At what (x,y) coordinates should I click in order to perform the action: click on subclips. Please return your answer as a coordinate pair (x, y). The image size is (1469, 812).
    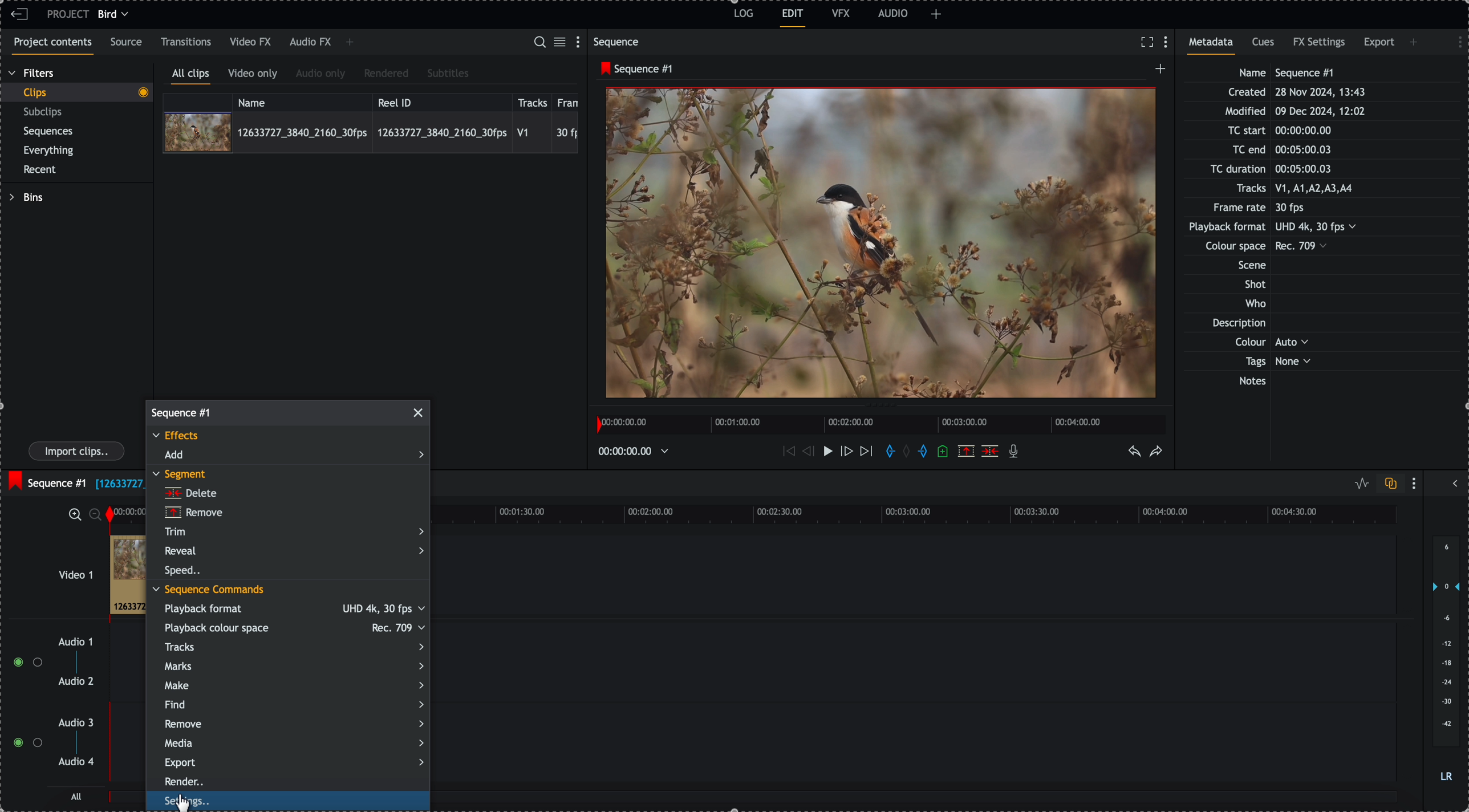
    Looking at the image, I should click on (45, 112).